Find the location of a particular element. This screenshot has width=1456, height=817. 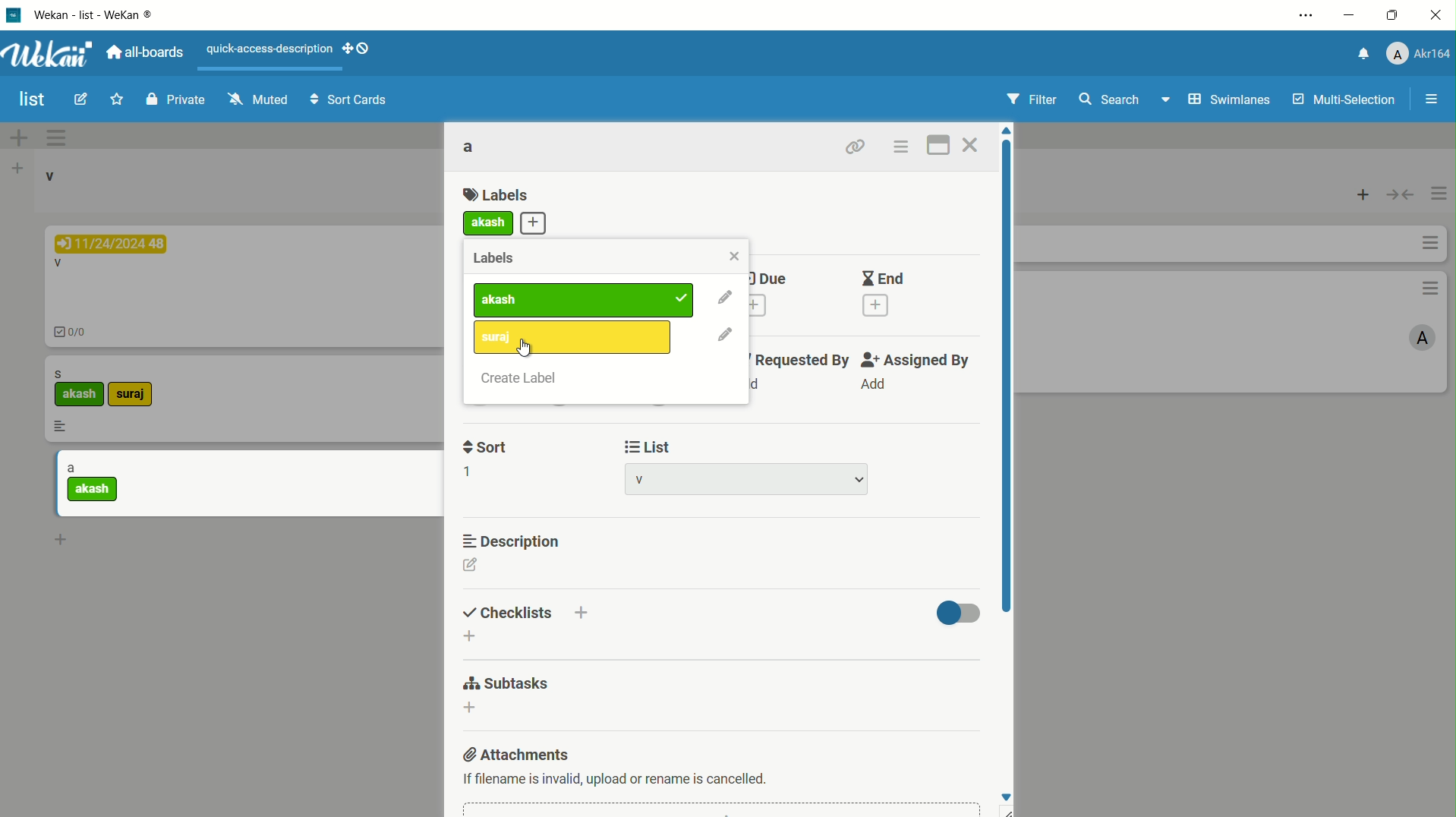

End is located at coordinates (892, 276).